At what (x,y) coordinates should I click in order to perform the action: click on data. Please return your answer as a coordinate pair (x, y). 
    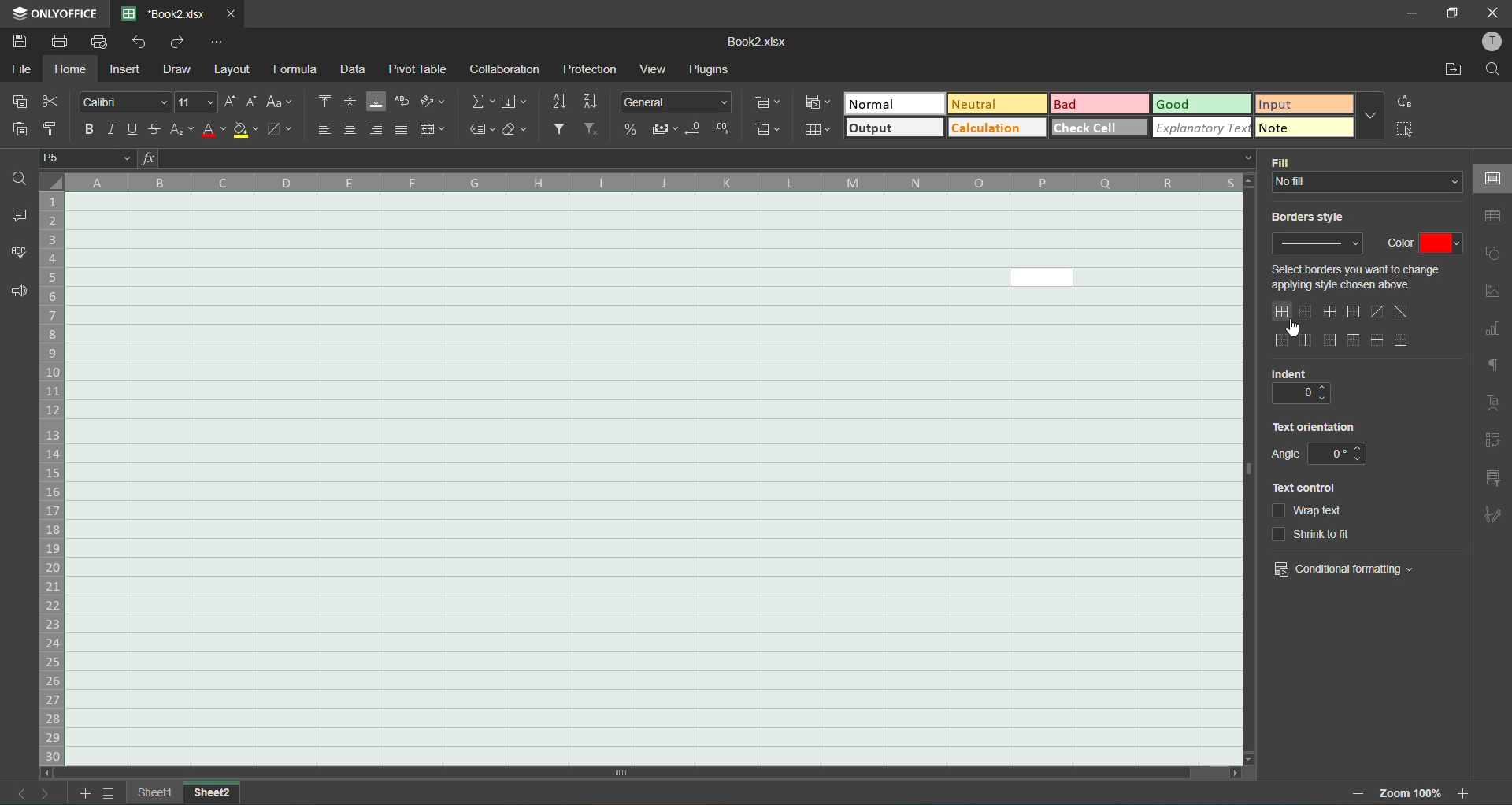
    Looking at the image, I should click on (355, 72).